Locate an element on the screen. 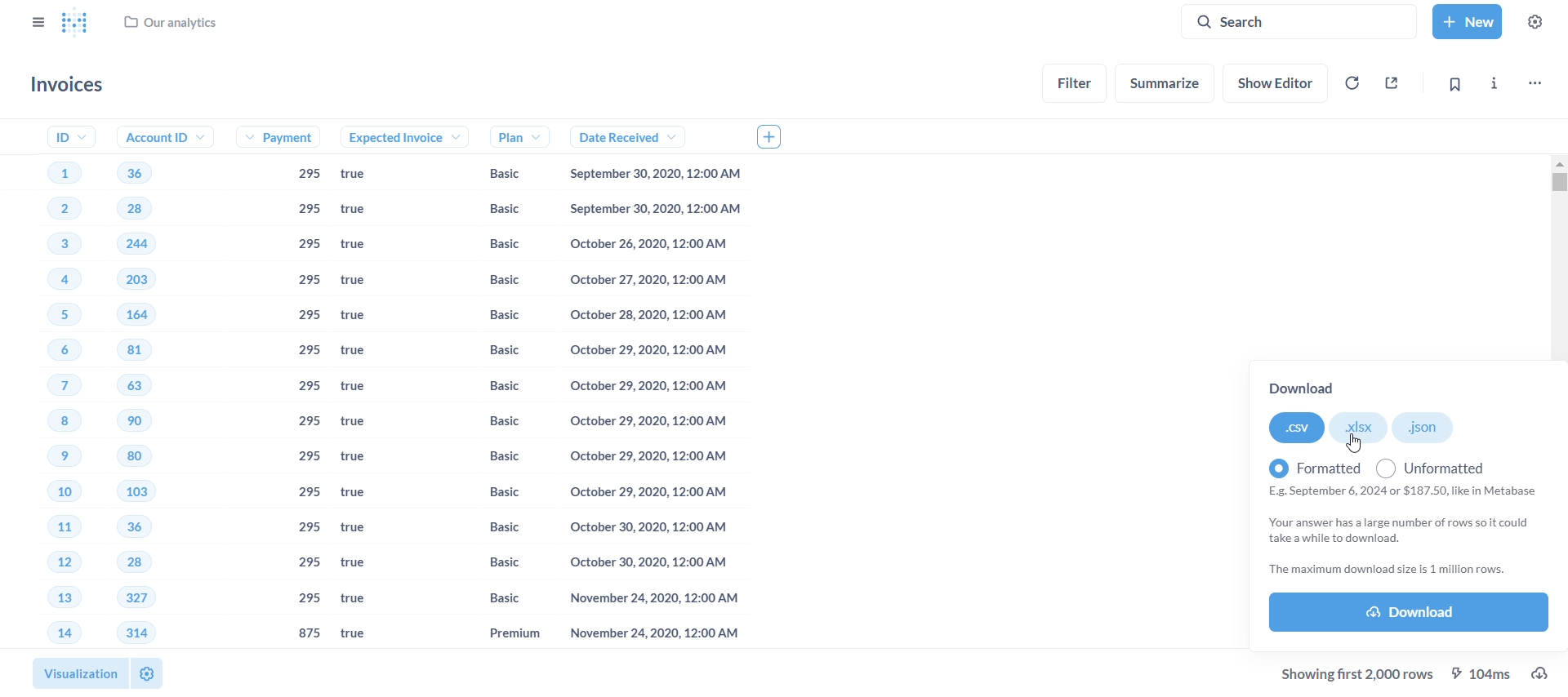 The height and width of the screenshot is (697, 1568). search is located at coordinates (1305, 20).